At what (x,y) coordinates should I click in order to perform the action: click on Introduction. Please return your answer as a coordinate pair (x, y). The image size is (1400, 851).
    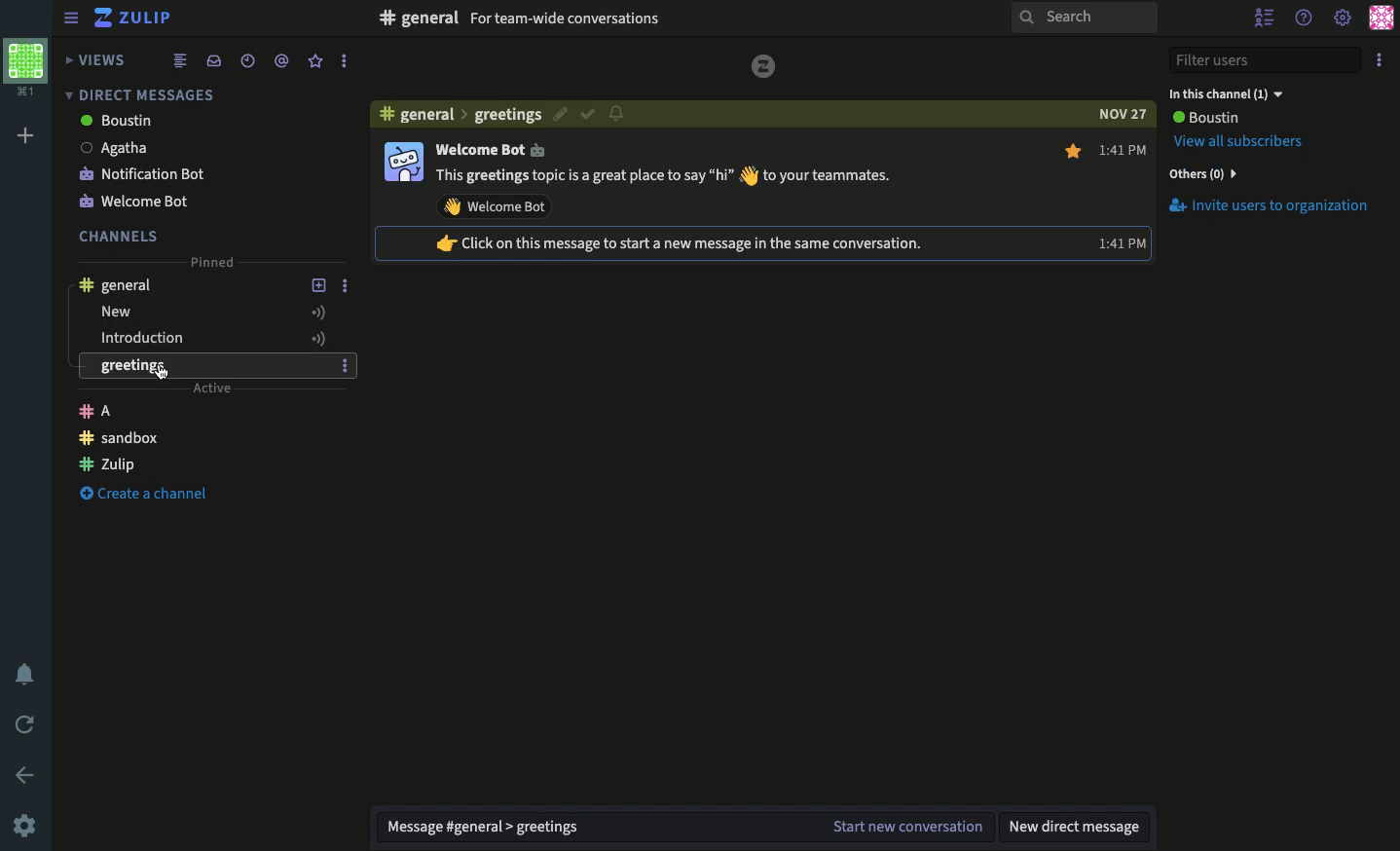
    Looking at the image, I should click on (190, 340).